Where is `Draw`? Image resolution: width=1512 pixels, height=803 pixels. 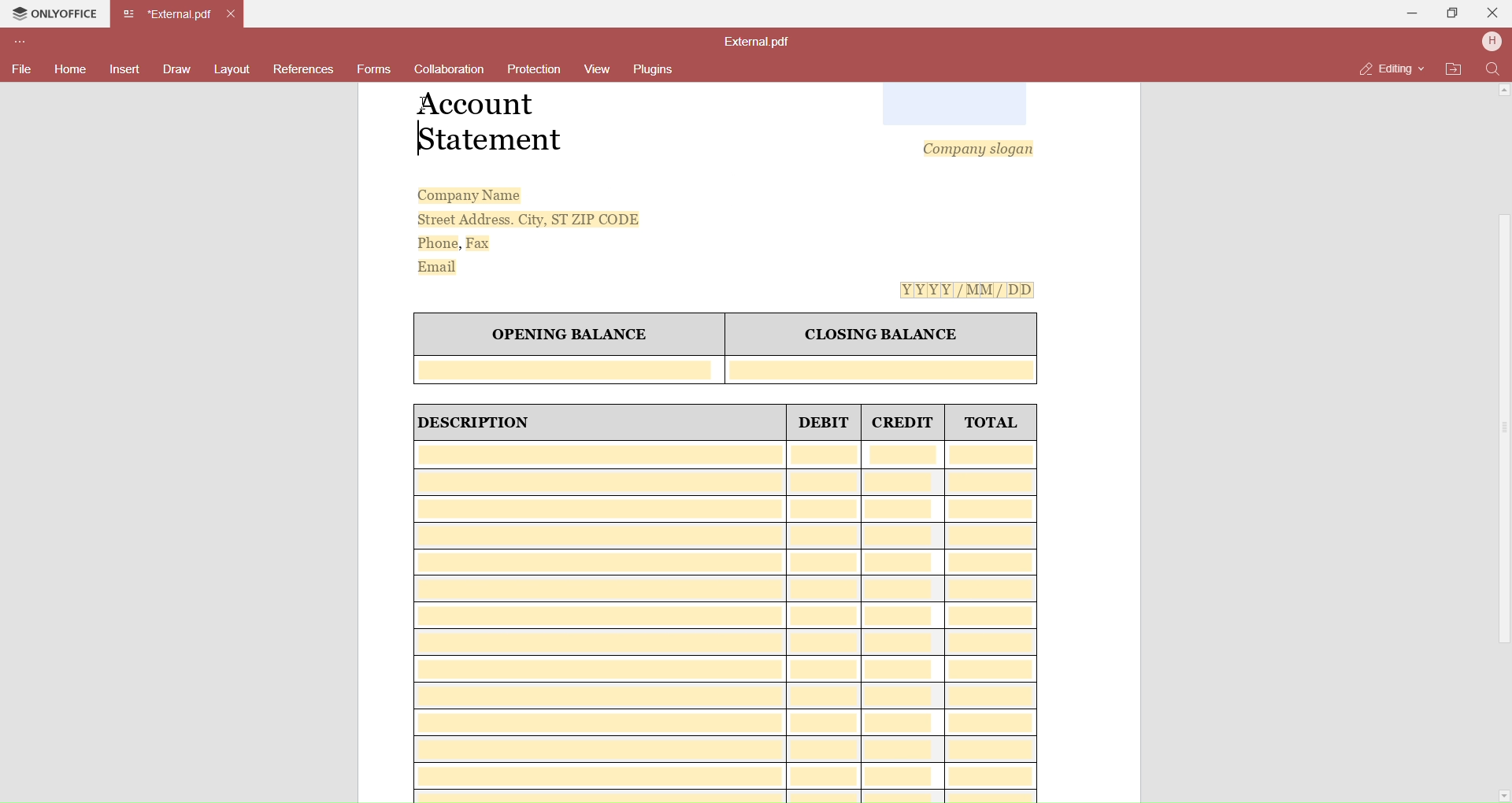 Draw is located at coordinates (178, 68).